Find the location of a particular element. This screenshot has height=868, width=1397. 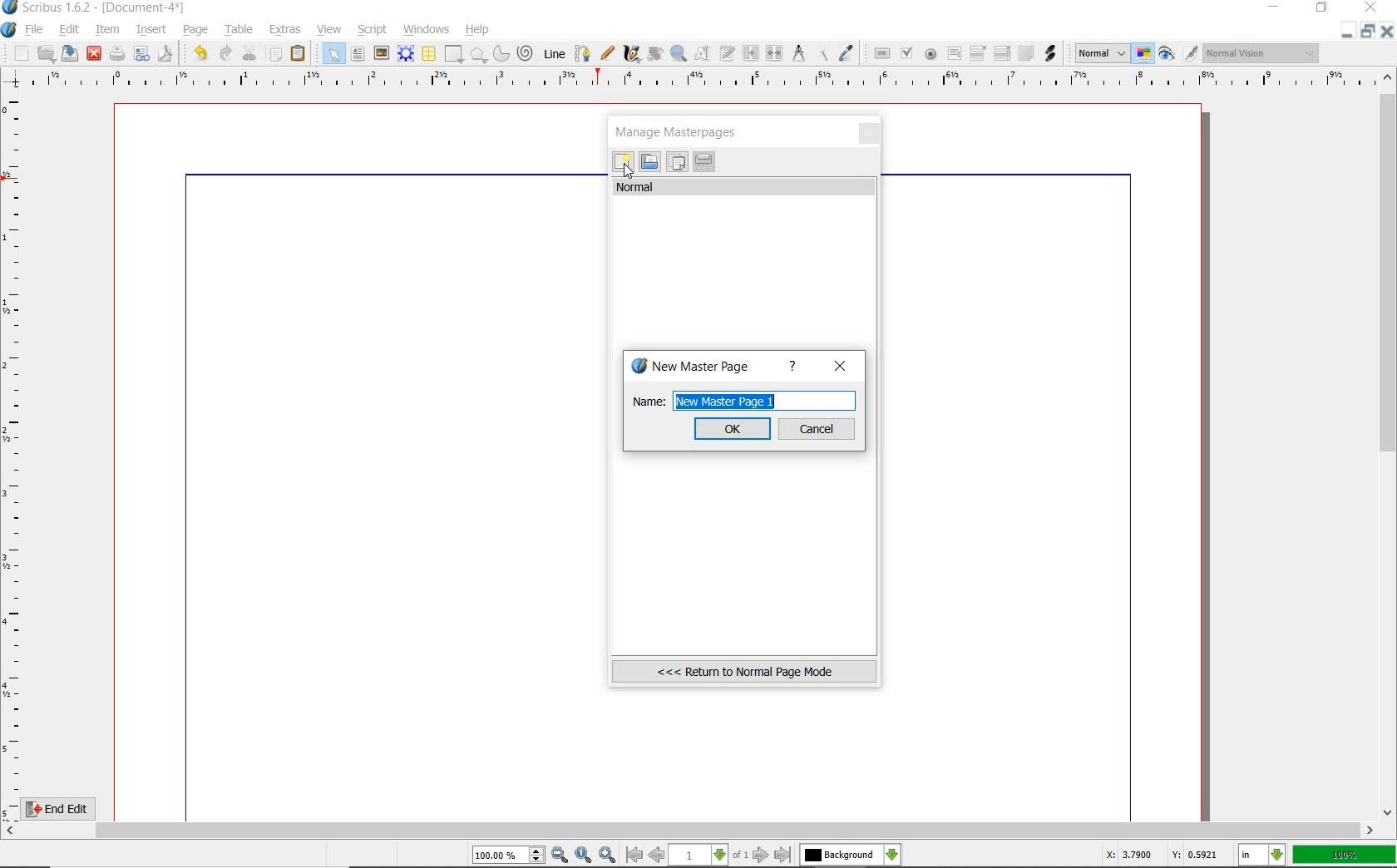

go to first page is located at coordinates (634, 856).